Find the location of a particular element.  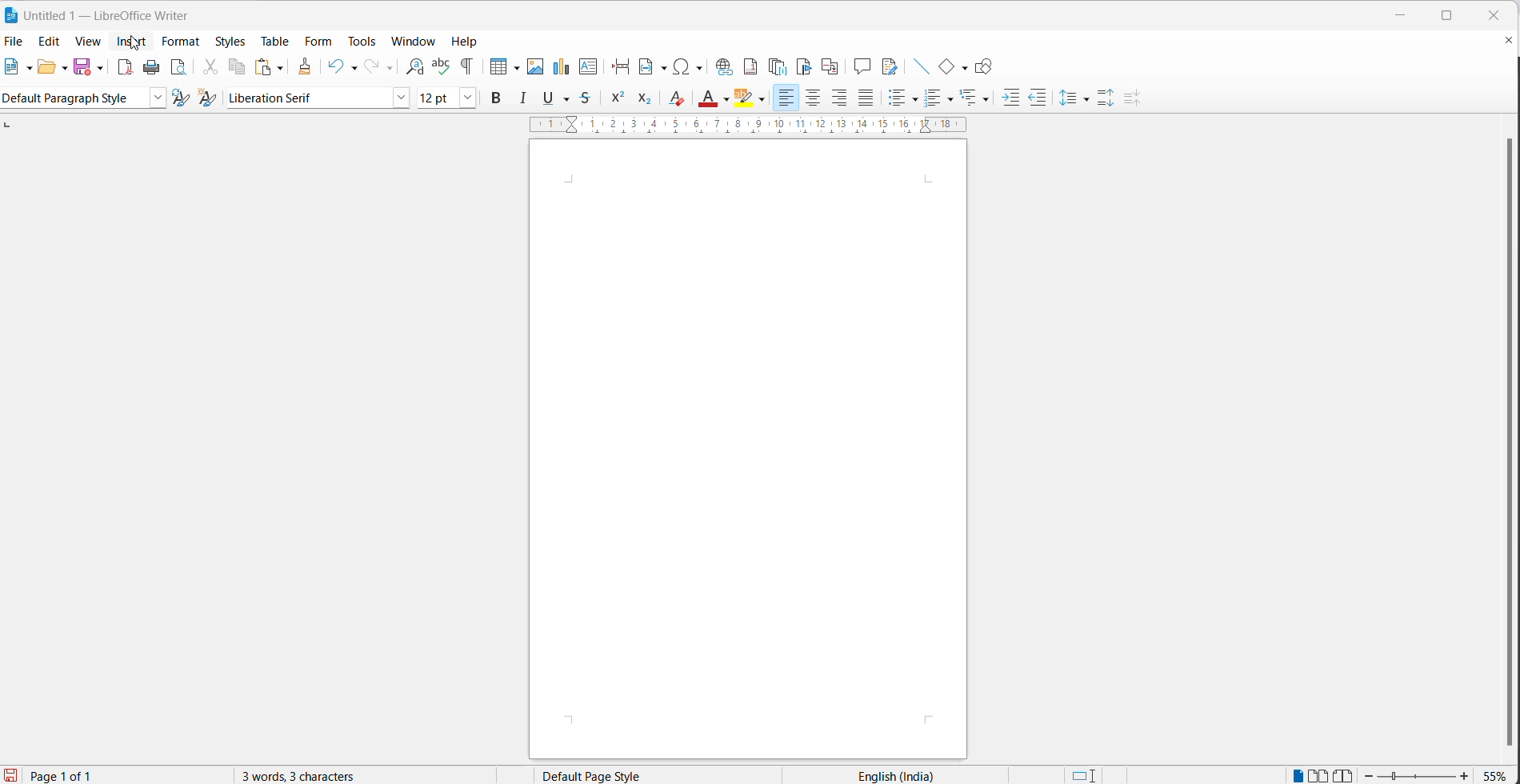

open options is located at coordinates (59, 69).